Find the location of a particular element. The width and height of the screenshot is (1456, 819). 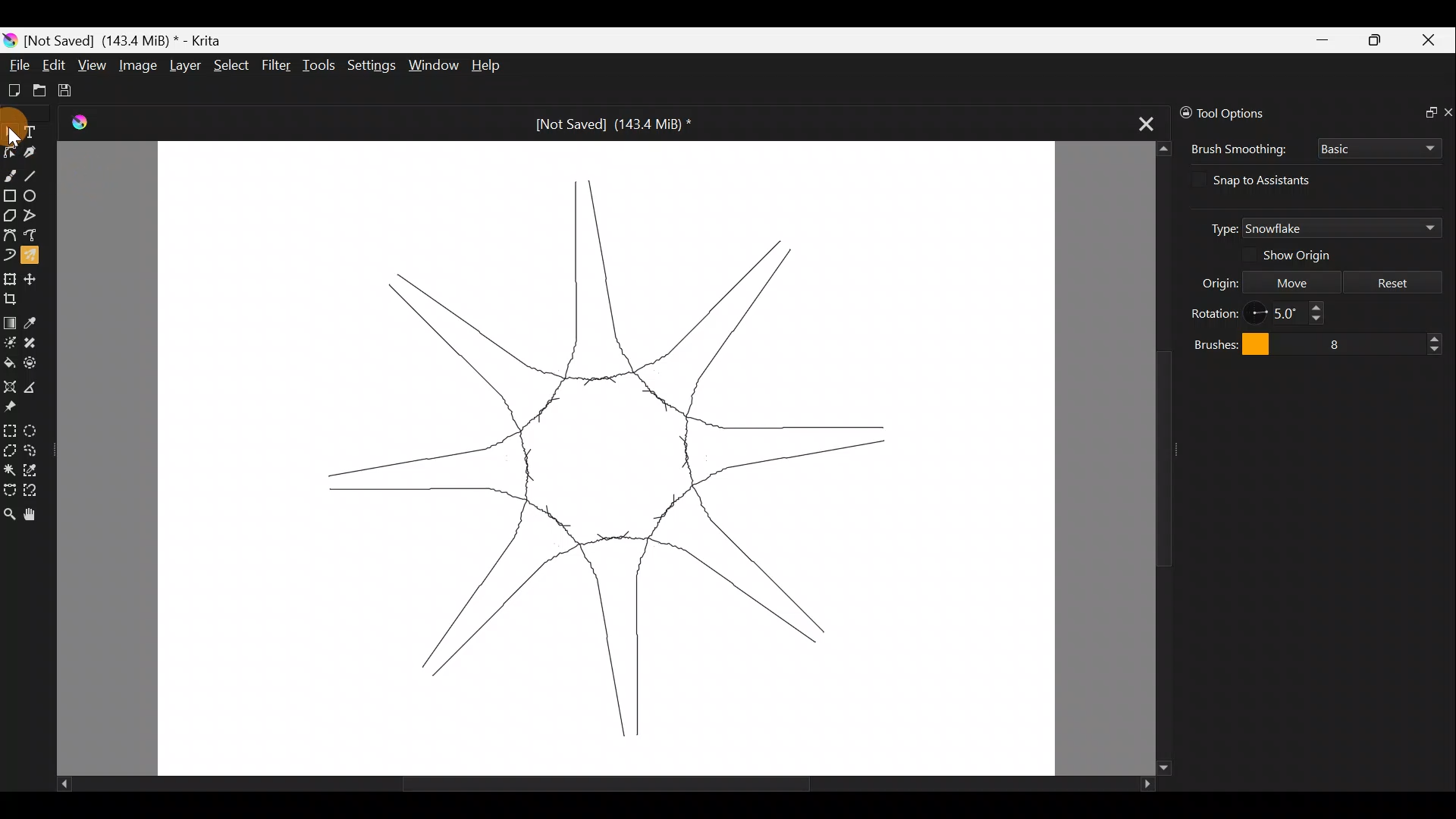

Polyline is located at coordinates (30, 216).